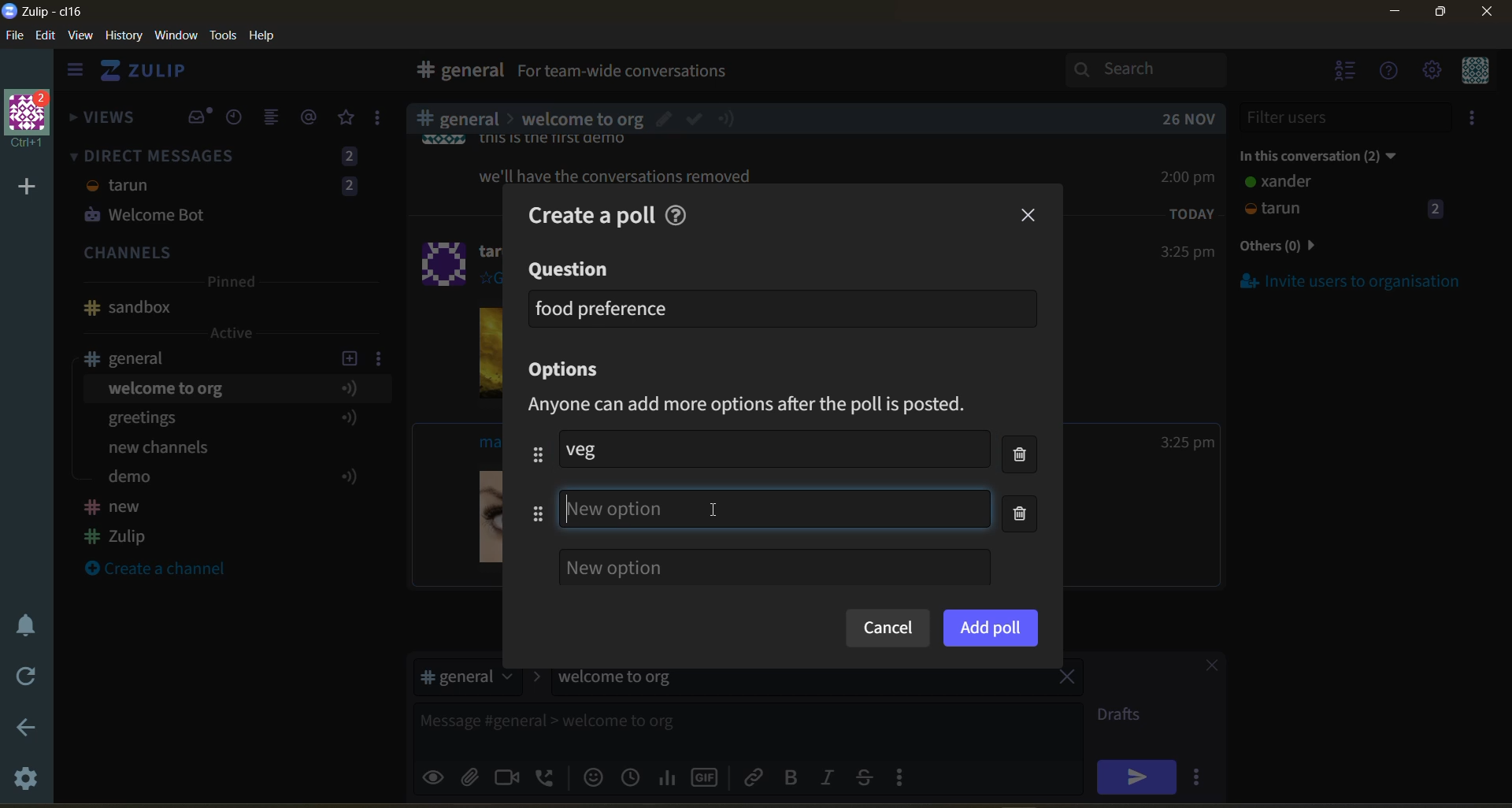 This screenshot has height=808, width=1512. Describe the element at coordinates (755, 776) in the screenshot. I see `link` at that location.